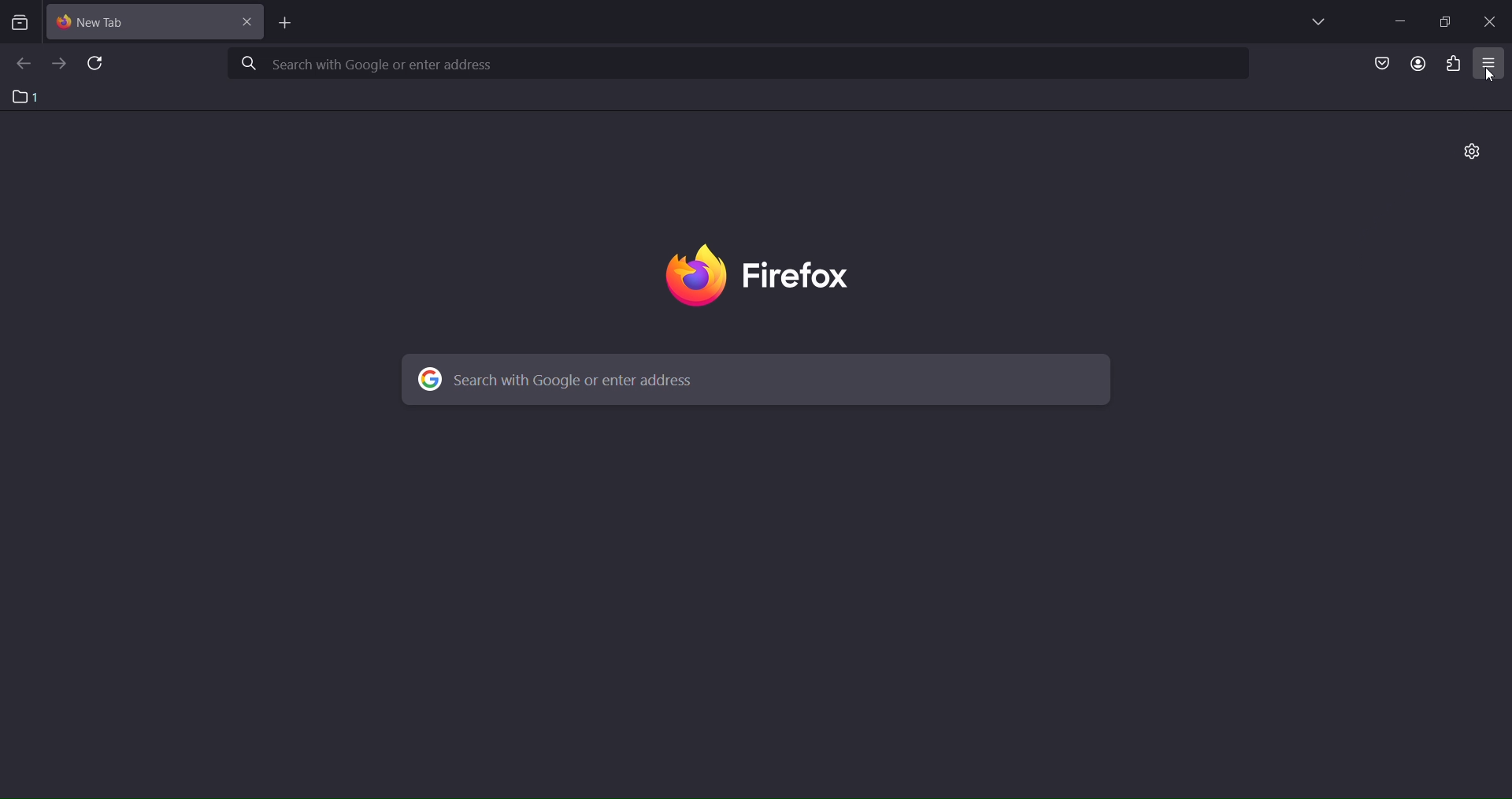 The width and height of the screenshot is (1512, 799). Describe the element at coordinates (96, 67) in the screenshot. I see `reload page` at that location.